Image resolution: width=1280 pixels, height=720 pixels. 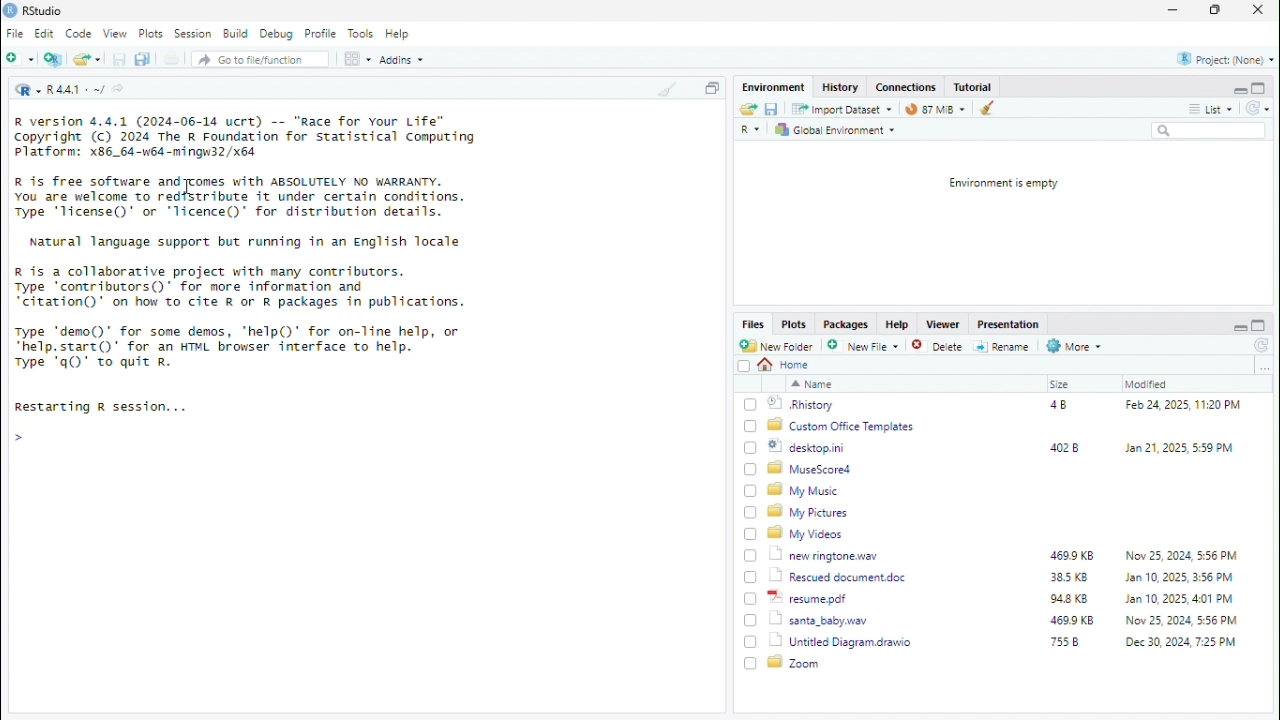 What do you see at coordinates (1003, 347) in the screenshot?
I see `Rename` at bounding box center [1003, 347].